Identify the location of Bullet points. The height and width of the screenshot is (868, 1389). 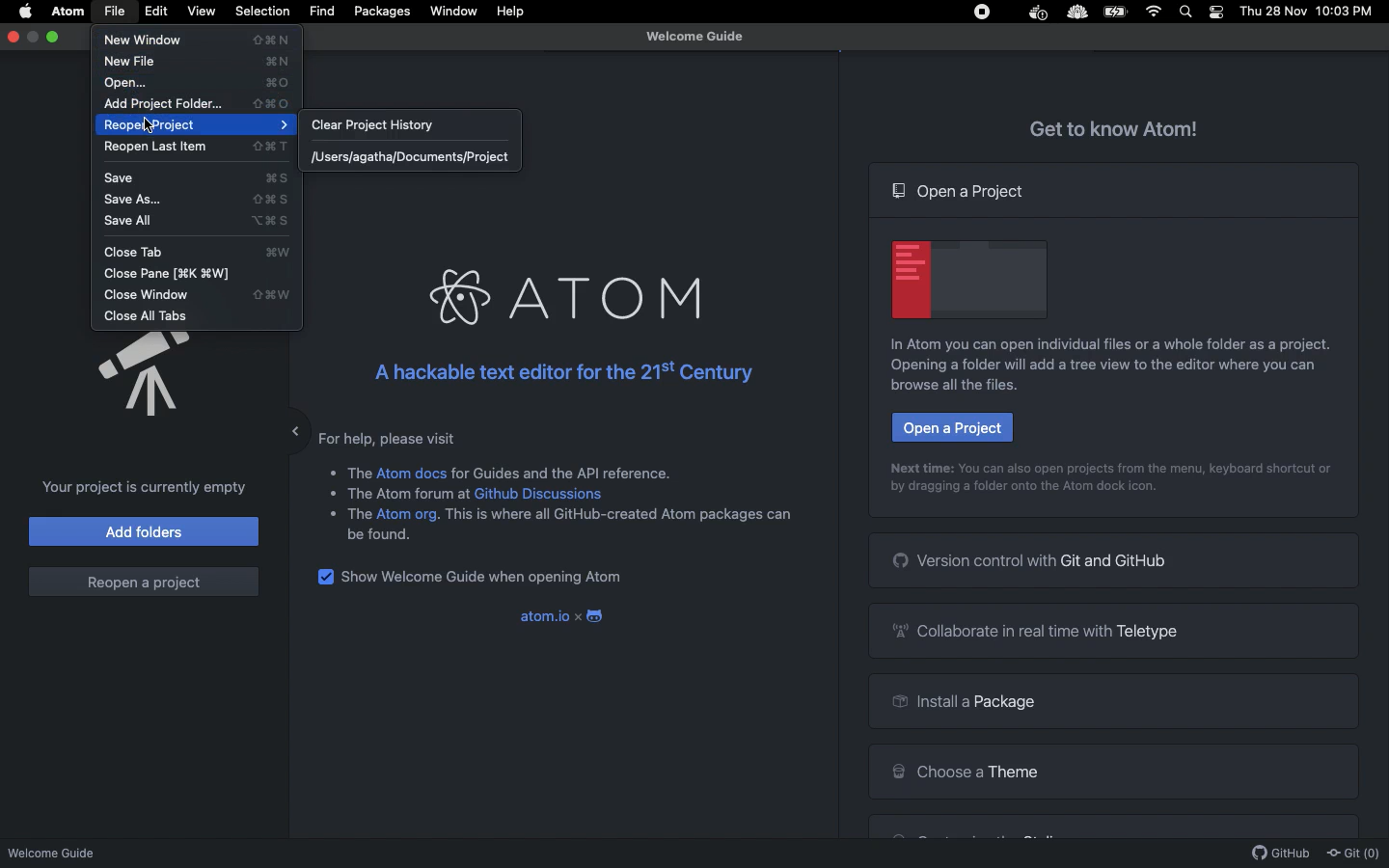
(331, 492).